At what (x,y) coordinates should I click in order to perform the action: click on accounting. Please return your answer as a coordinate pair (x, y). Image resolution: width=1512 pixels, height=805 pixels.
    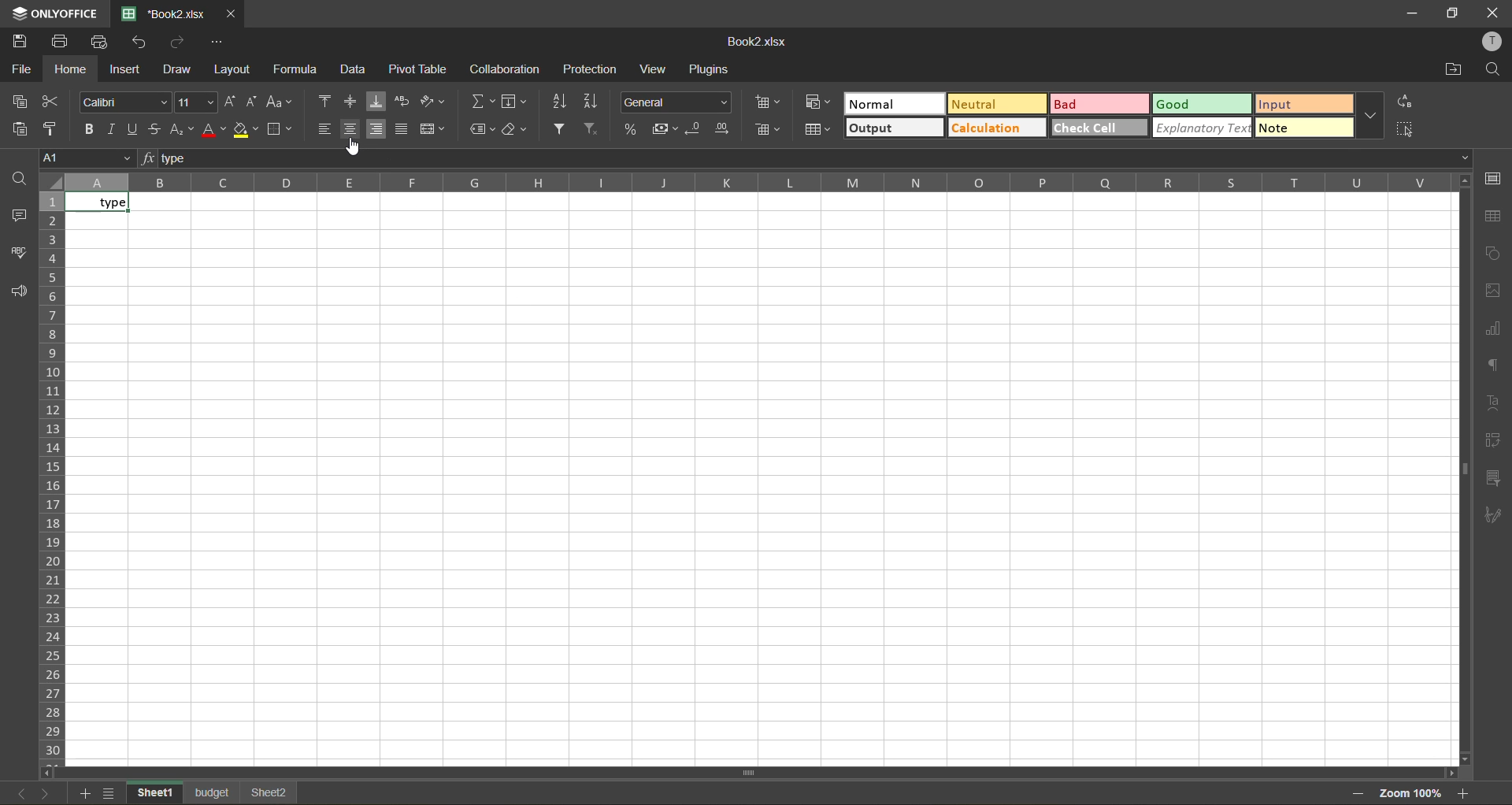
    Looking at the image, I should click on (666, 127).